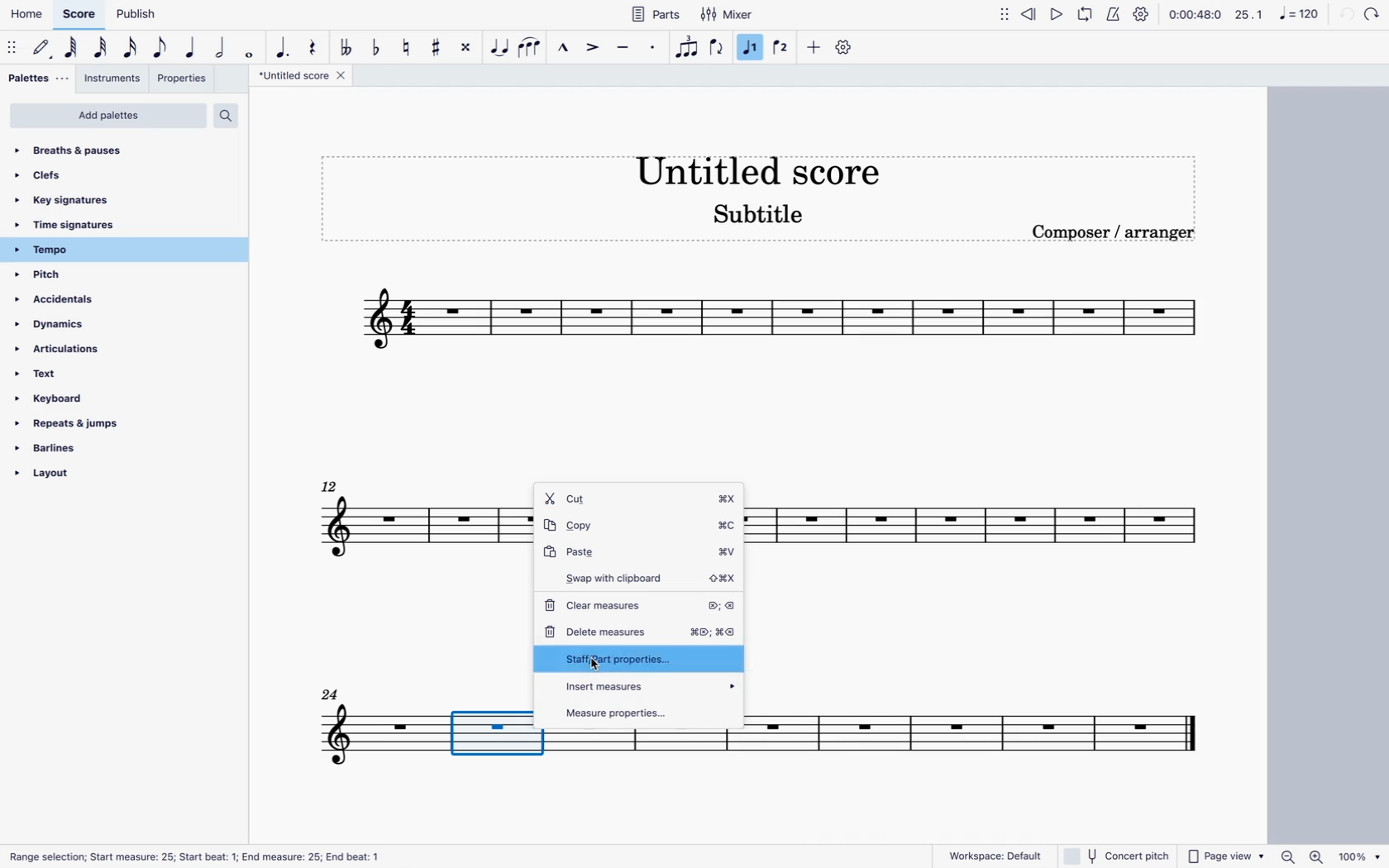 The width and height of the screenshot is (1389, 868). Describe the element at coordinates (64, 301) in the screenshot. I see `accidentals` at that location.